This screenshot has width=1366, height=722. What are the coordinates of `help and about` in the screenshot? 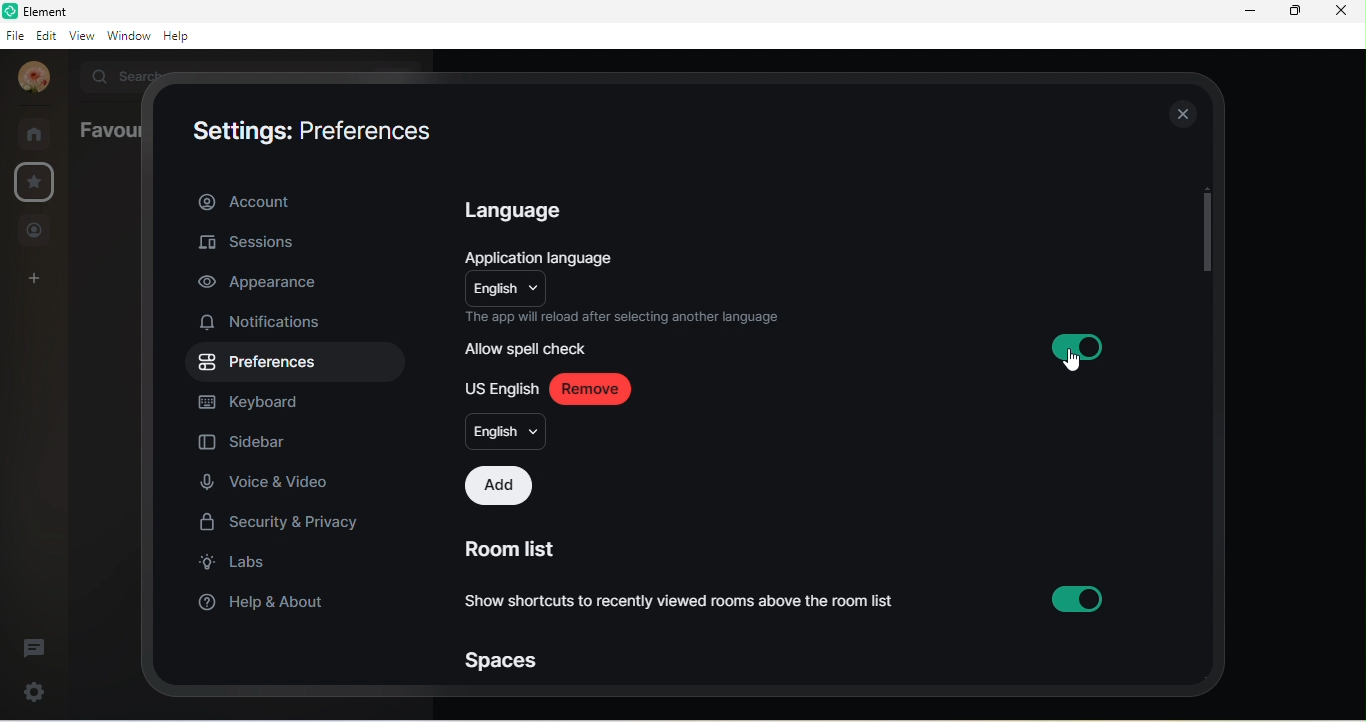 It's located at (265, 603).